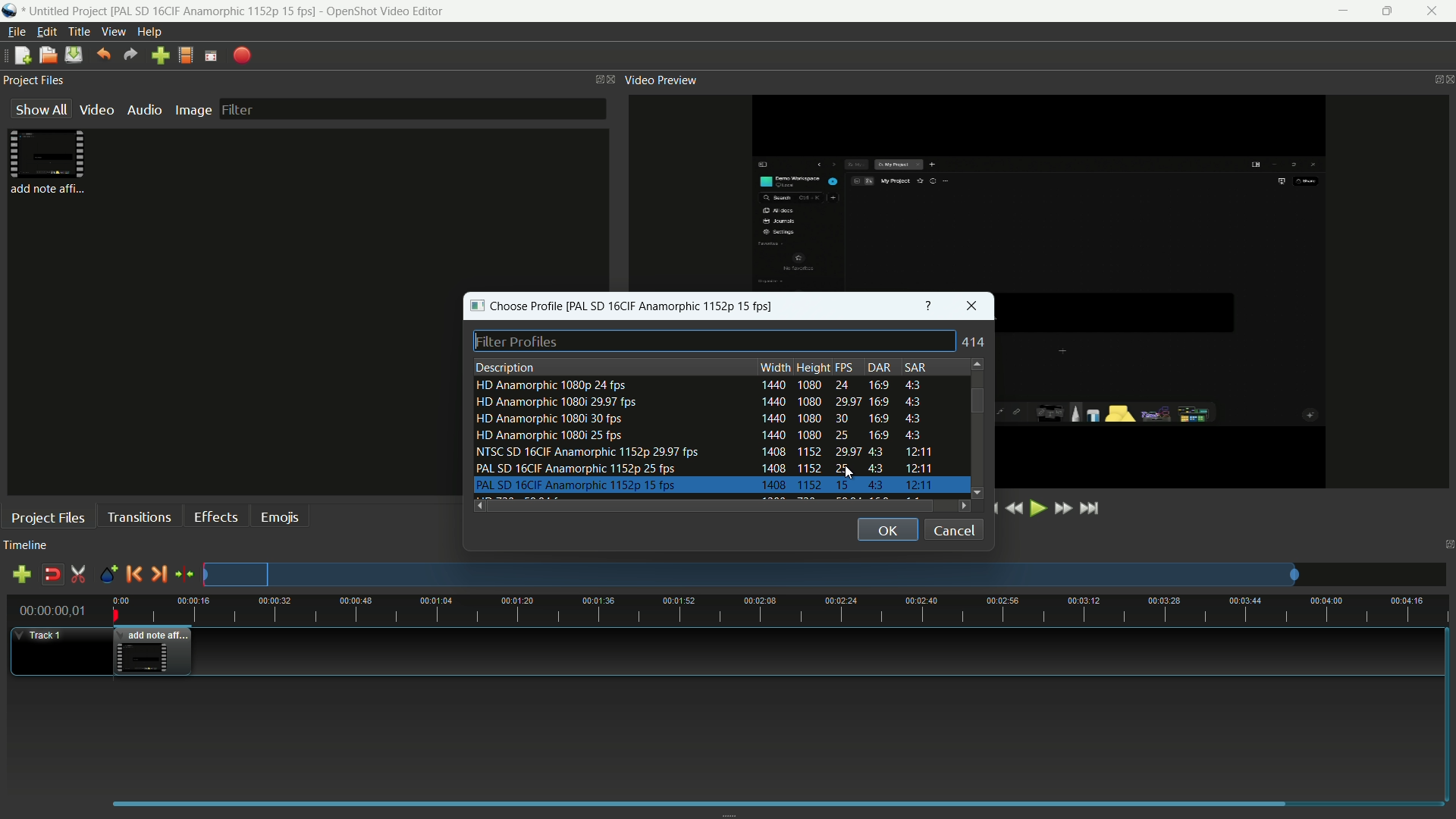 This screenshot has width=1456, height=819. What do you see at coordinates (1447, 543) in the screenshot?
I see `close timeline` at bounding box center [1447, 543].